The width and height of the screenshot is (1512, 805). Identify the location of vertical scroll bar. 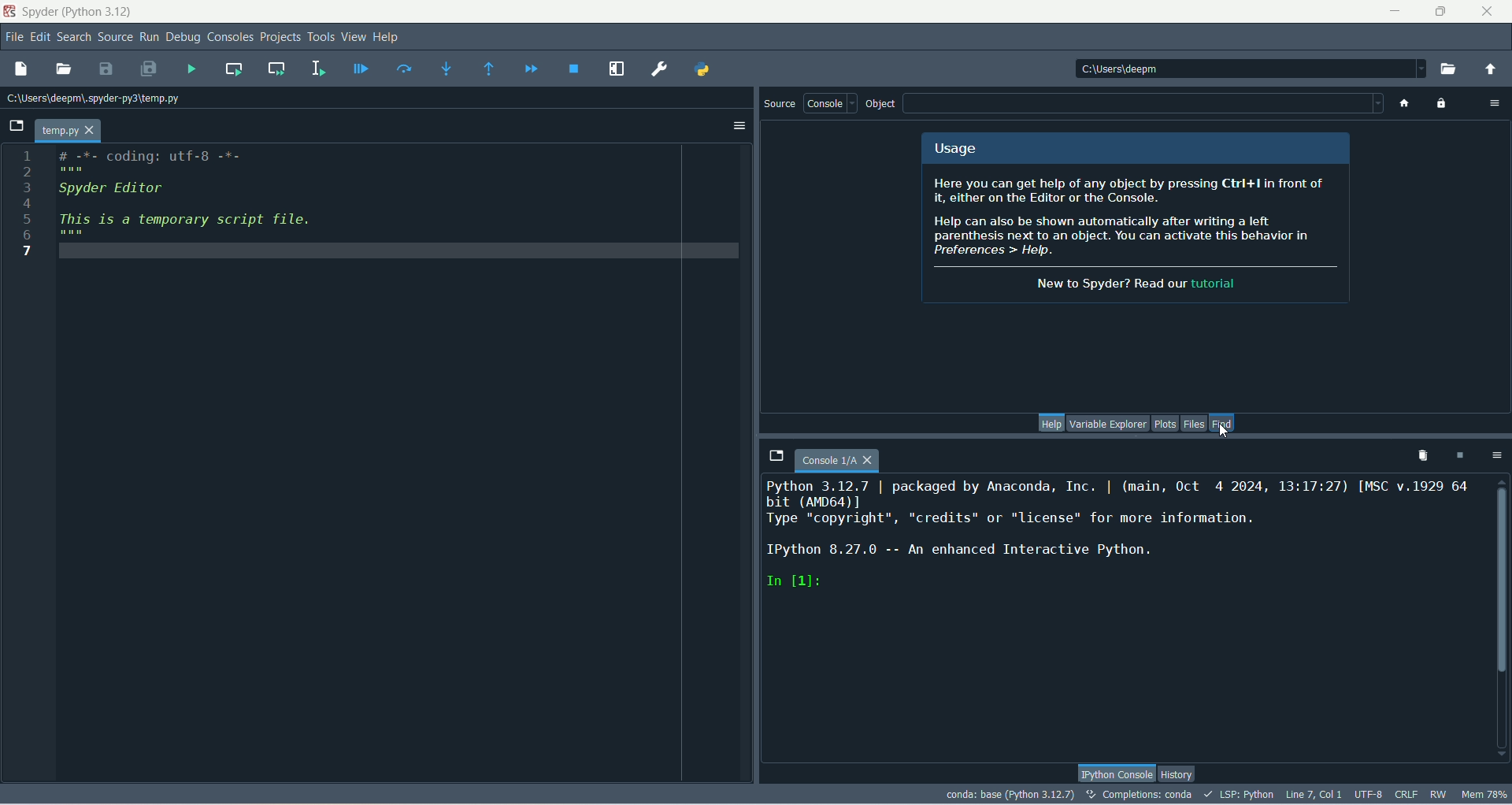
(1499, 617).